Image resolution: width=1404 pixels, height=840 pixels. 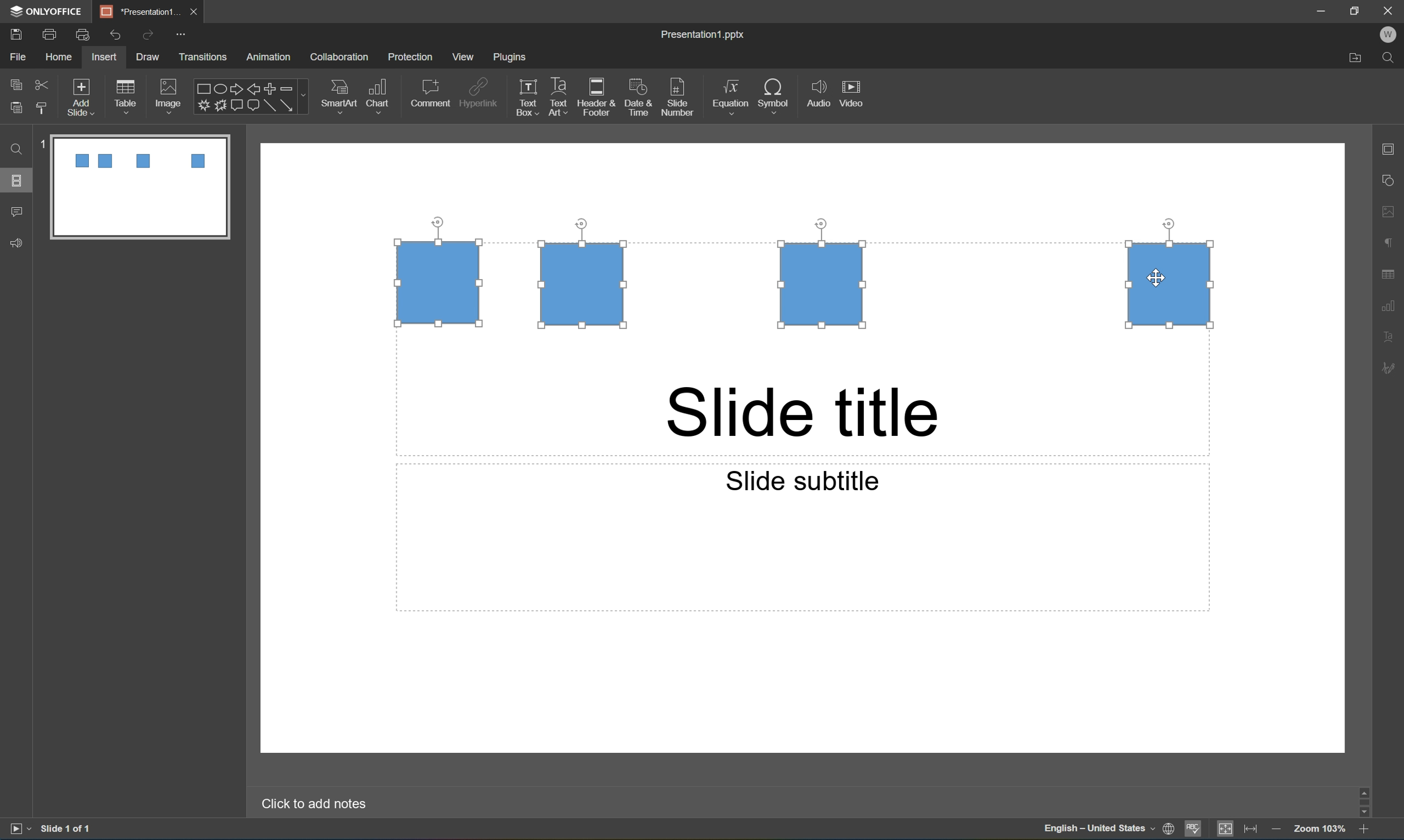 I want to click on set document language, so click(x=1107, y=831).